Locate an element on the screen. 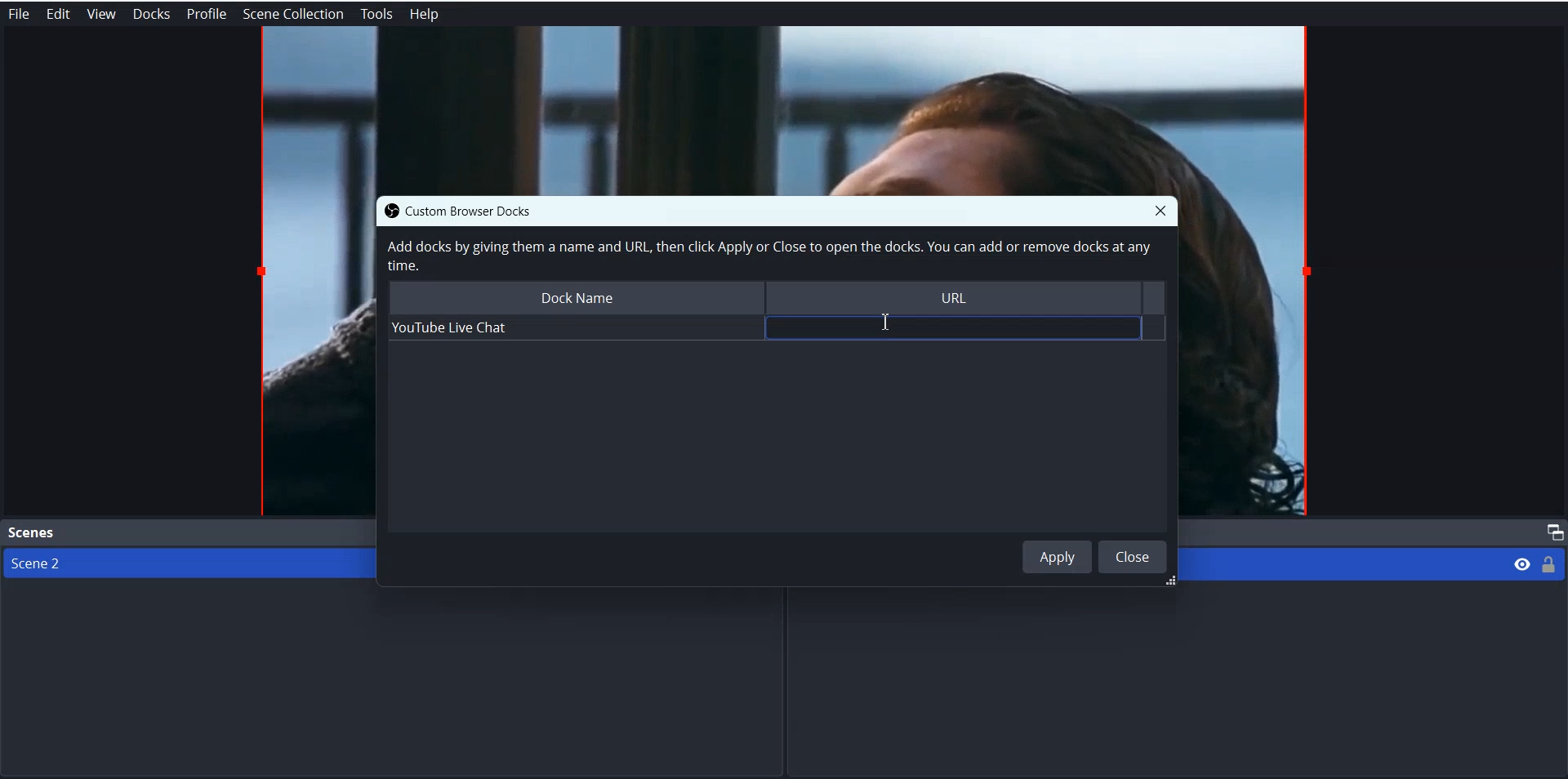 This screenshot has height=779, width=1568. OBS logo is located at coordinates (387, 211).